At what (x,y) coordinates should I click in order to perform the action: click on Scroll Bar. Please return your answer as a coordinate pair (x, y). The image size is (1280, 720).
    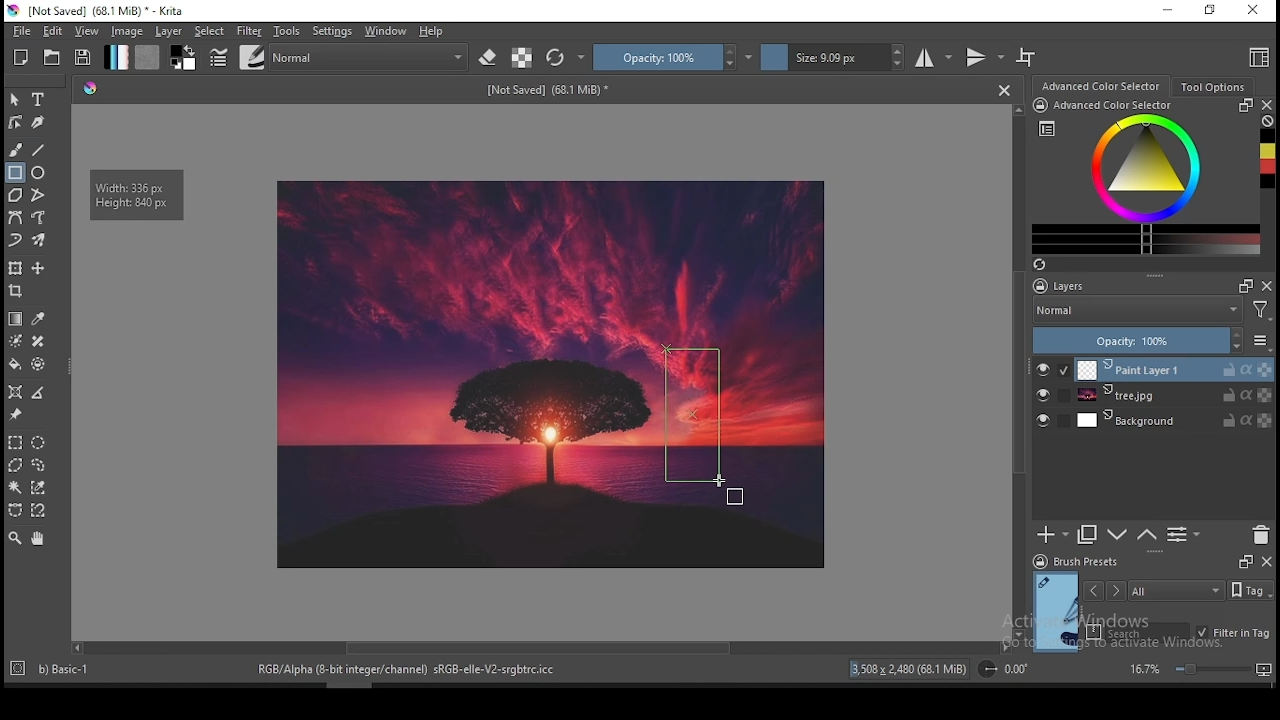
    Looking at the image, I should click on (1017, 372).